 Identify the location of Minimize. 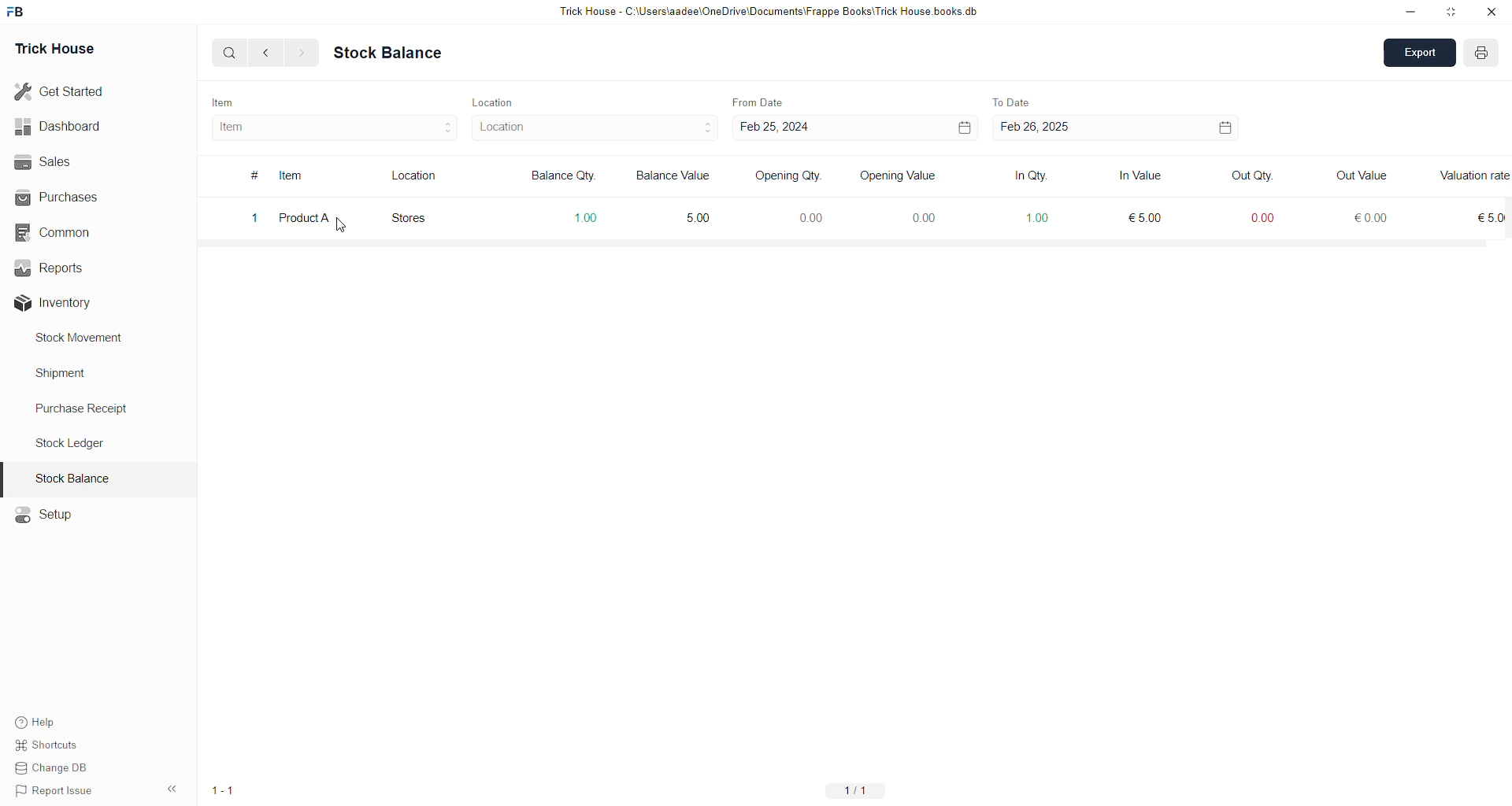
(1410, 15).